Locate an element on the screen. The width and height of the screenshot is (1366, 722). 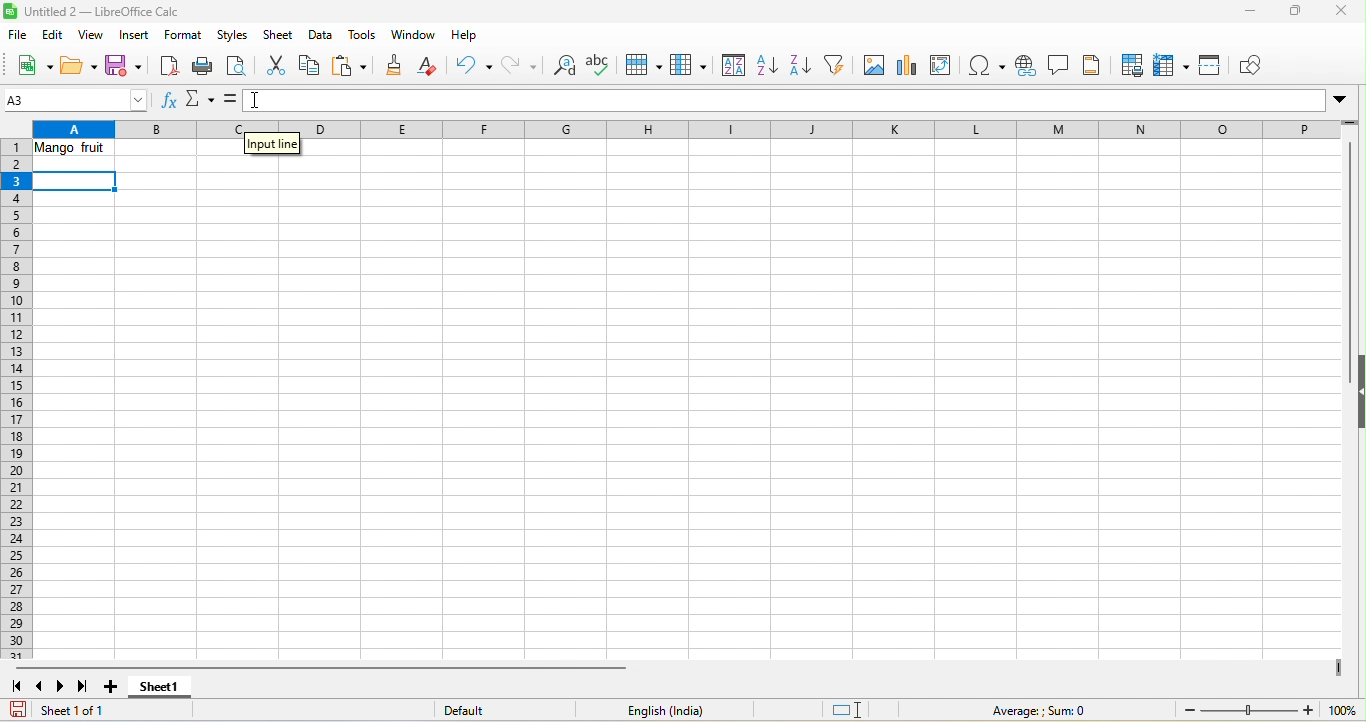
select function is located at coordinates (201, 101).